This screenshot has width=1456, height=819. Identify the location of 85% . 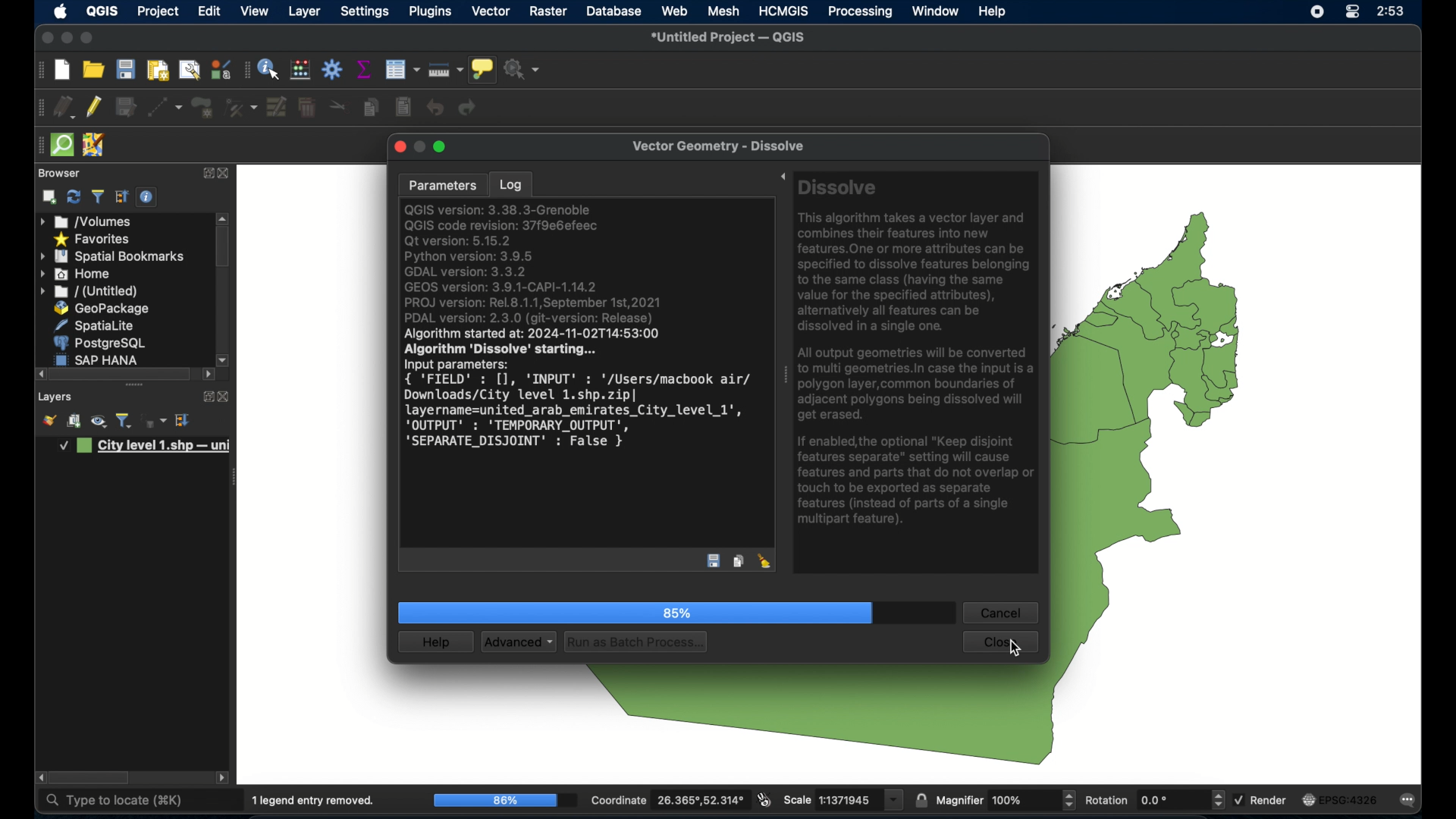
(638, 613).